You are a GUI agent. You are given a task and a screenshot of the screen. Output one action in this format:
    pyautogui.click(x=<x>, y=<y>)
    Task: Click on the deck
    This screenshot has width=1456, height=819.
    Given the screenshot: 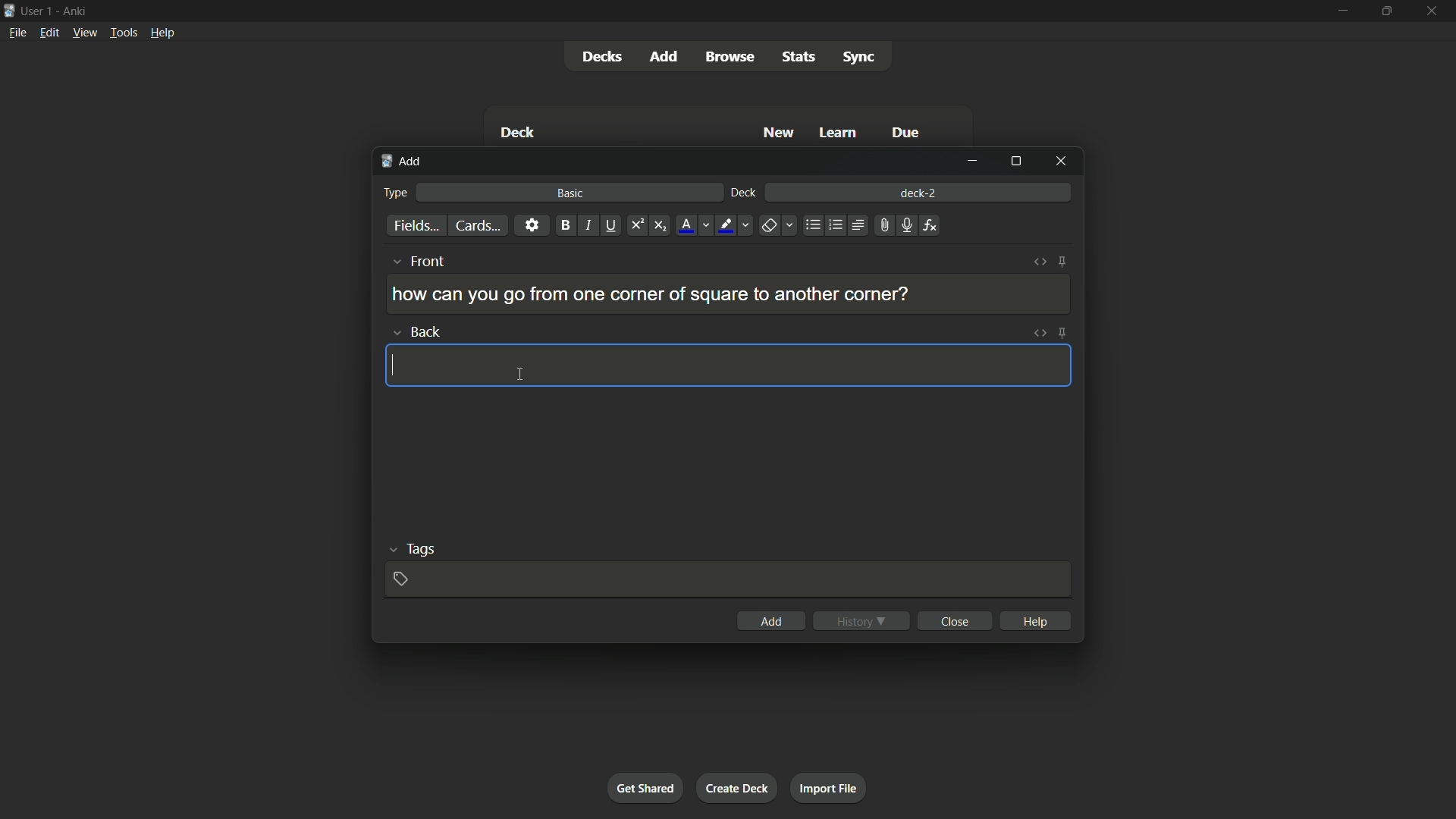 What is the action you would take?
    pyautogui.click(x=521, y=132)
    